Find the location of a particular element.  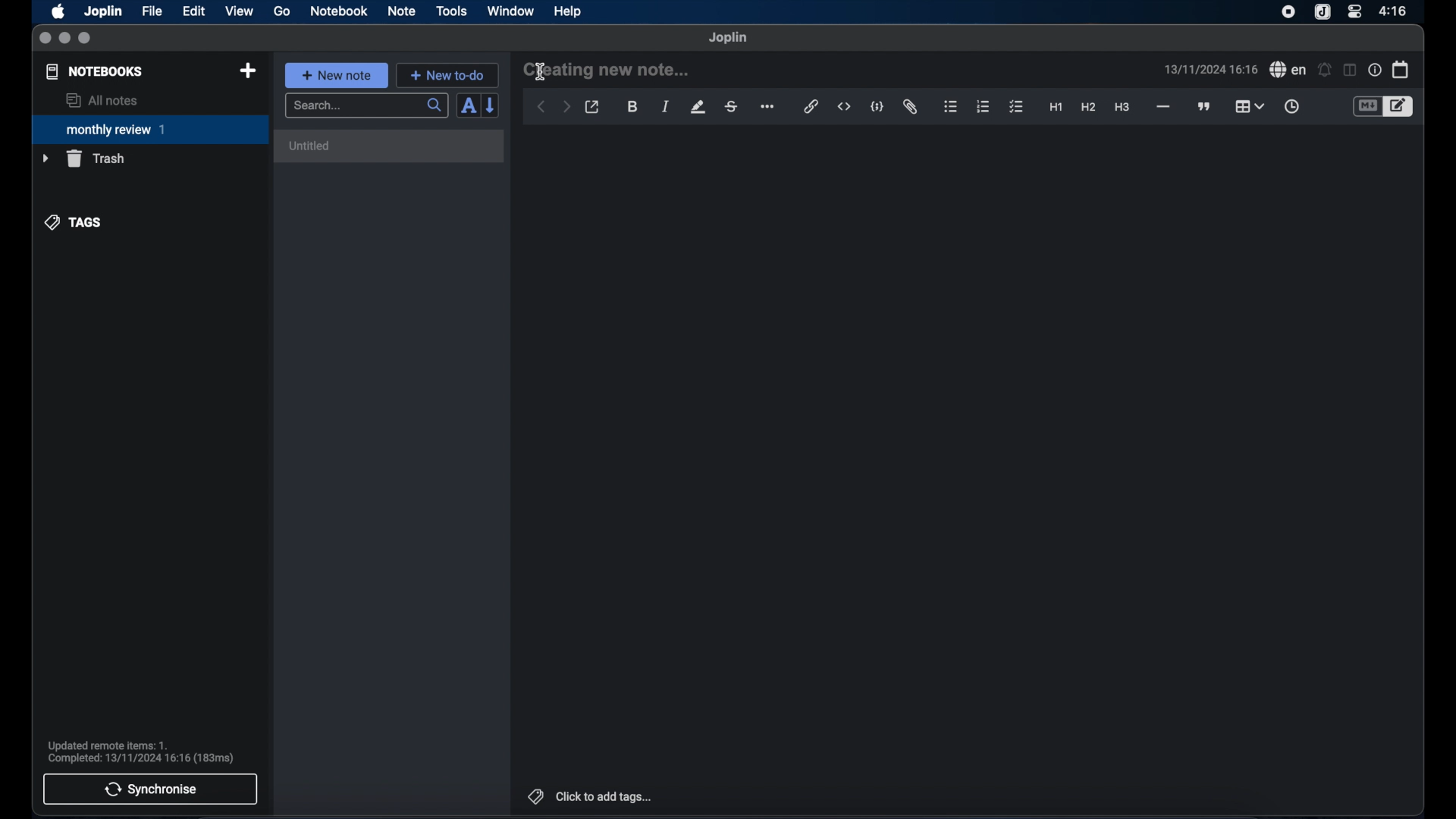

calendar is located at coordinates (1401, 69).